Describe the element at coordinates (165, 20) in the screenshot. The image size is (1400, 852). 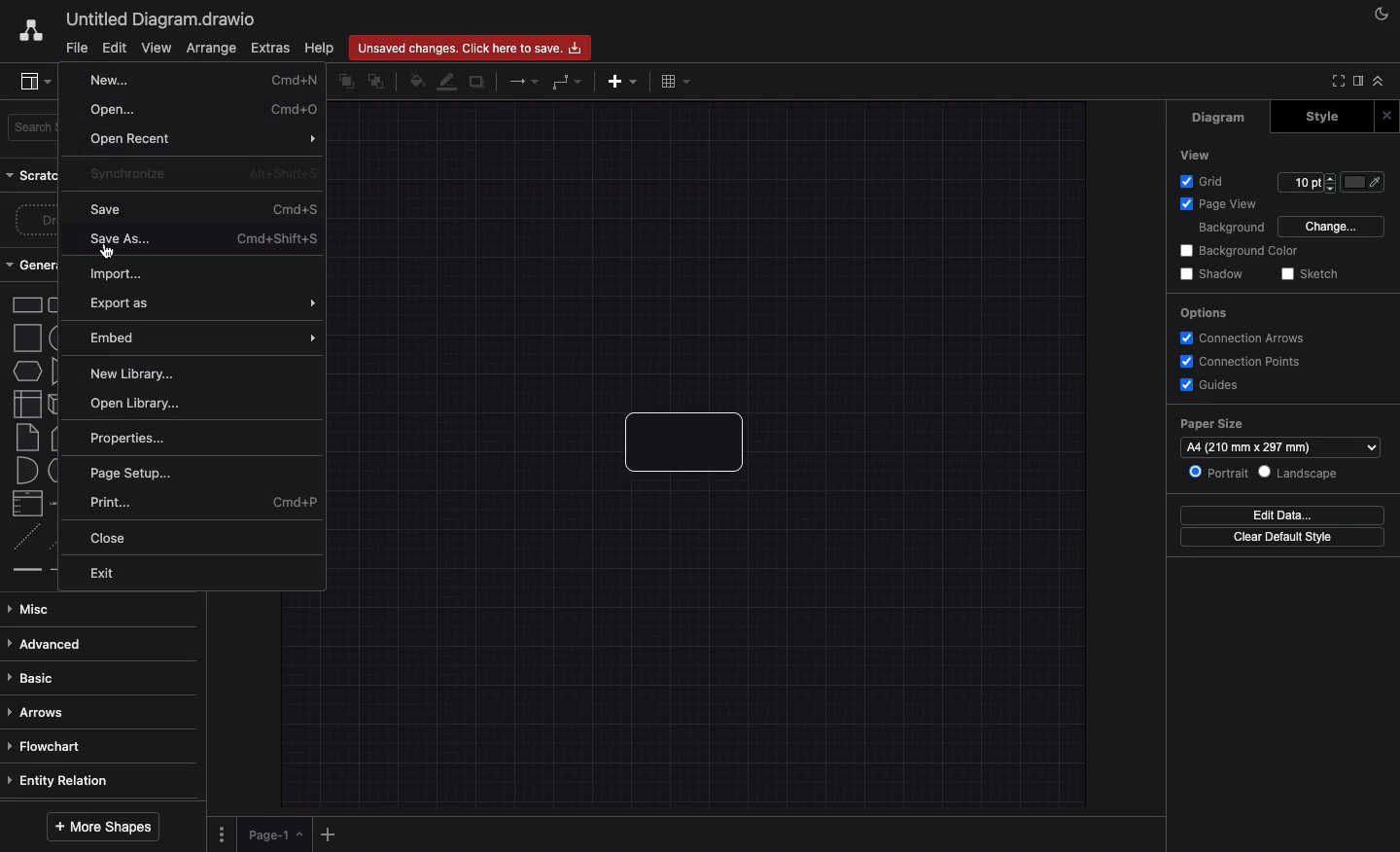
I see `Untitled diagram.draw.io` at that location.